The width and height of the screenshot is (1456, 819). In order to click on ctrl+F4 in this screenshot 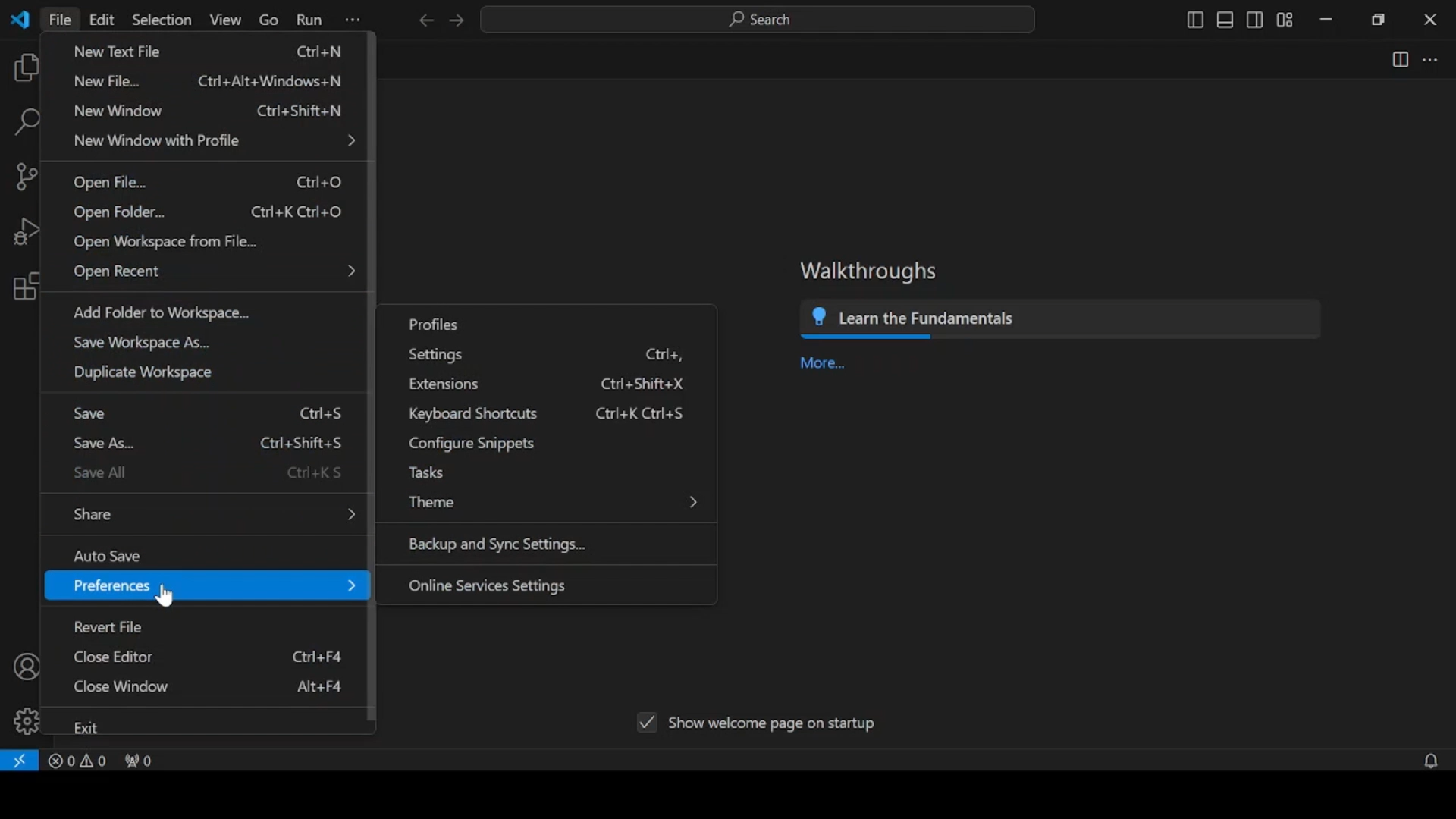, I will do `click(315, 655)`.